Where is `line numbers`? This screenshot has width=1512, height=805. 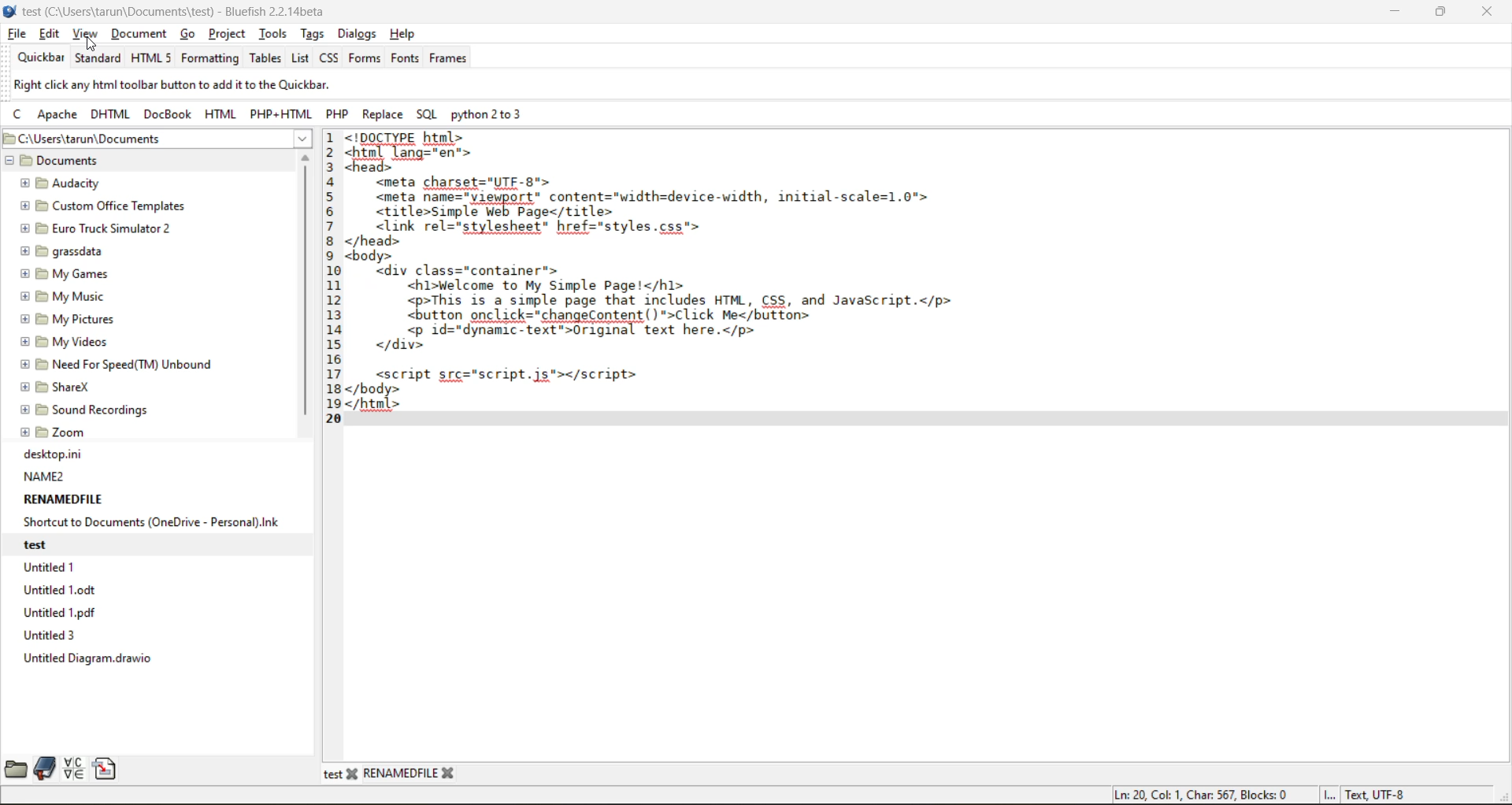
line numbers is located at coordinates (332, 275).